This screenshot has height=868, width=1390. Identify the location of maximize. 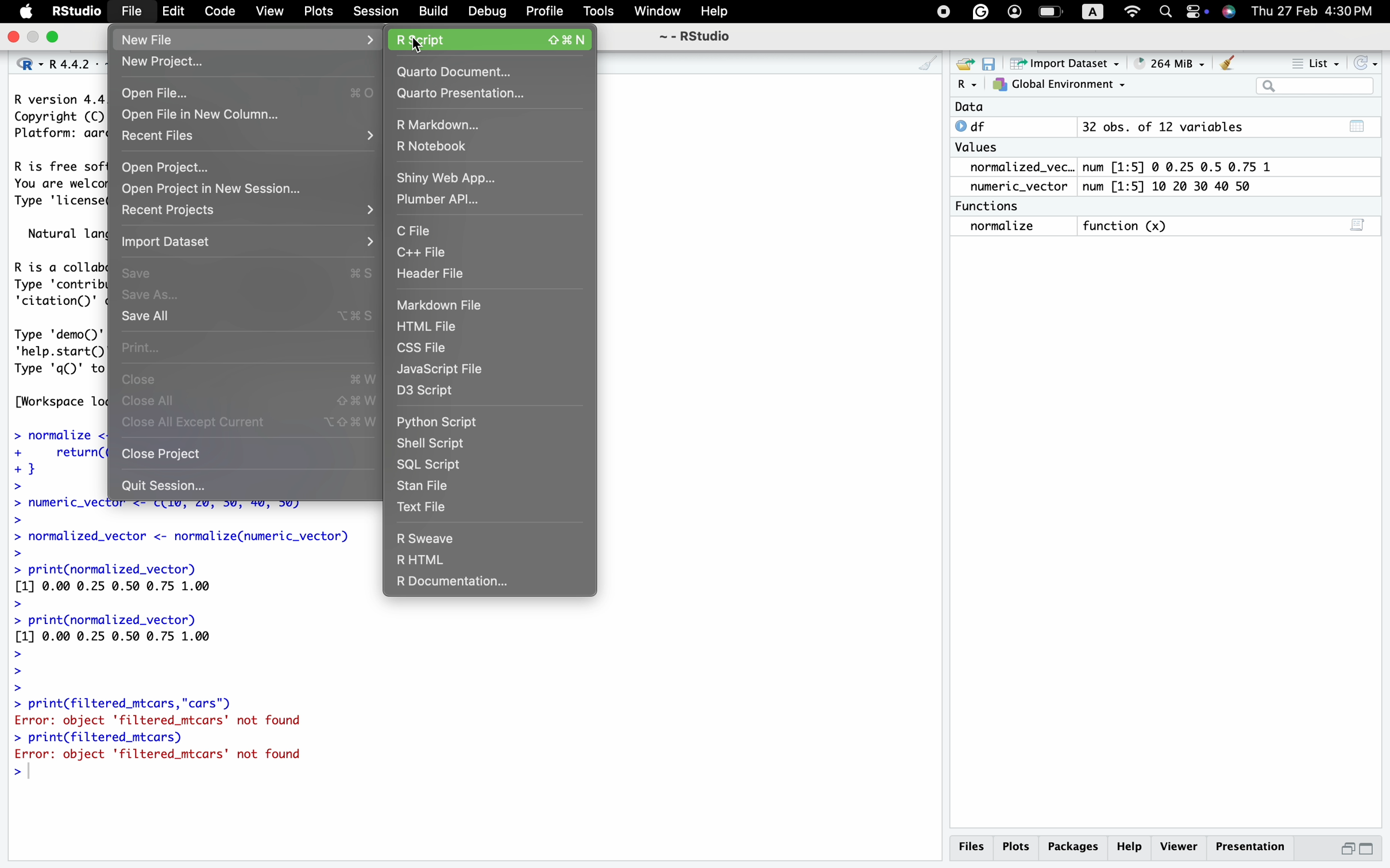
(57, 37).